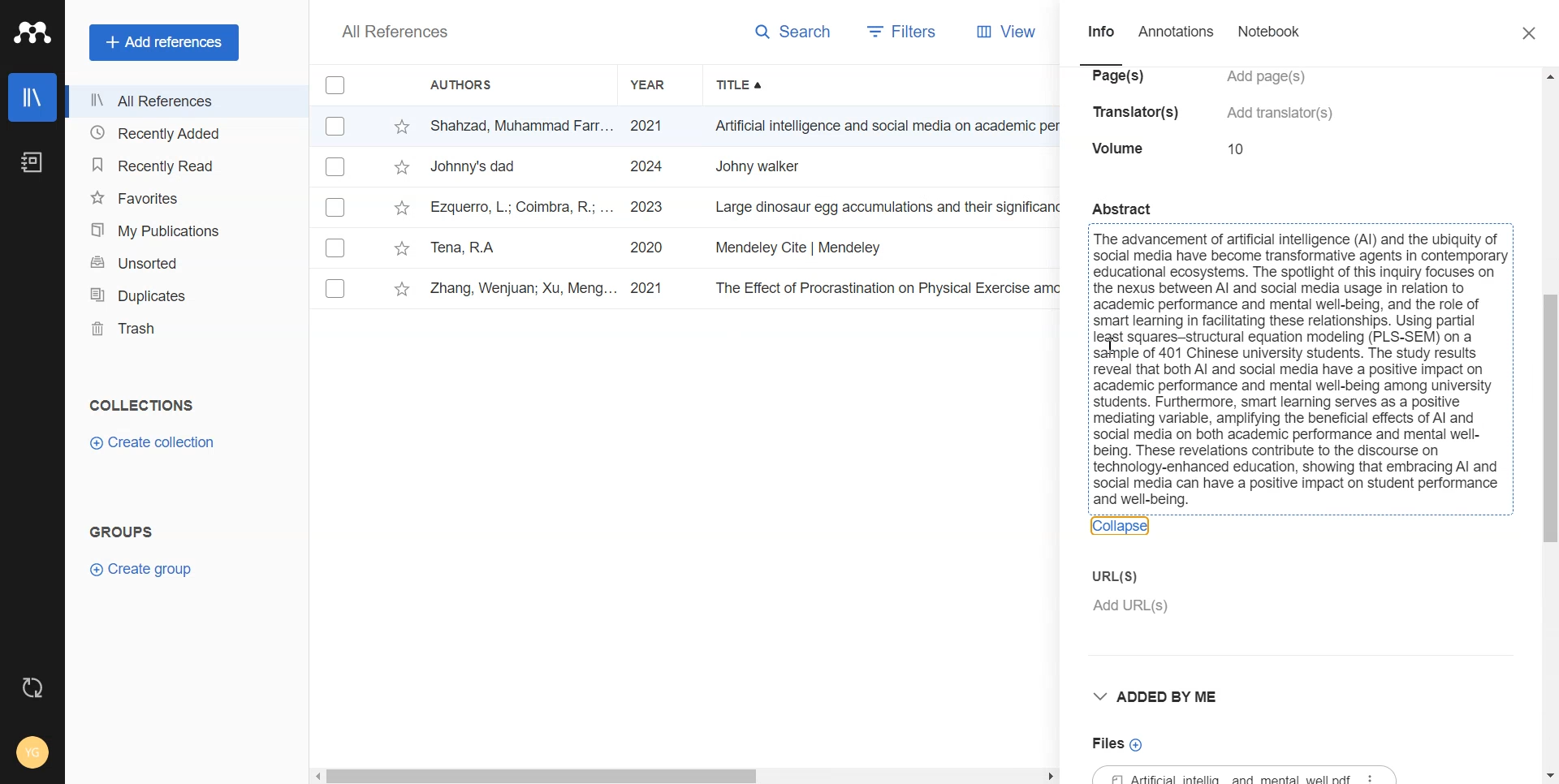 The width and height of the screenshot is (1559, 784). What do you see at coordinates (1549, 424) in the screenshot?
I see `Vertical Scroll bar` at bounding box center [1549, 424].